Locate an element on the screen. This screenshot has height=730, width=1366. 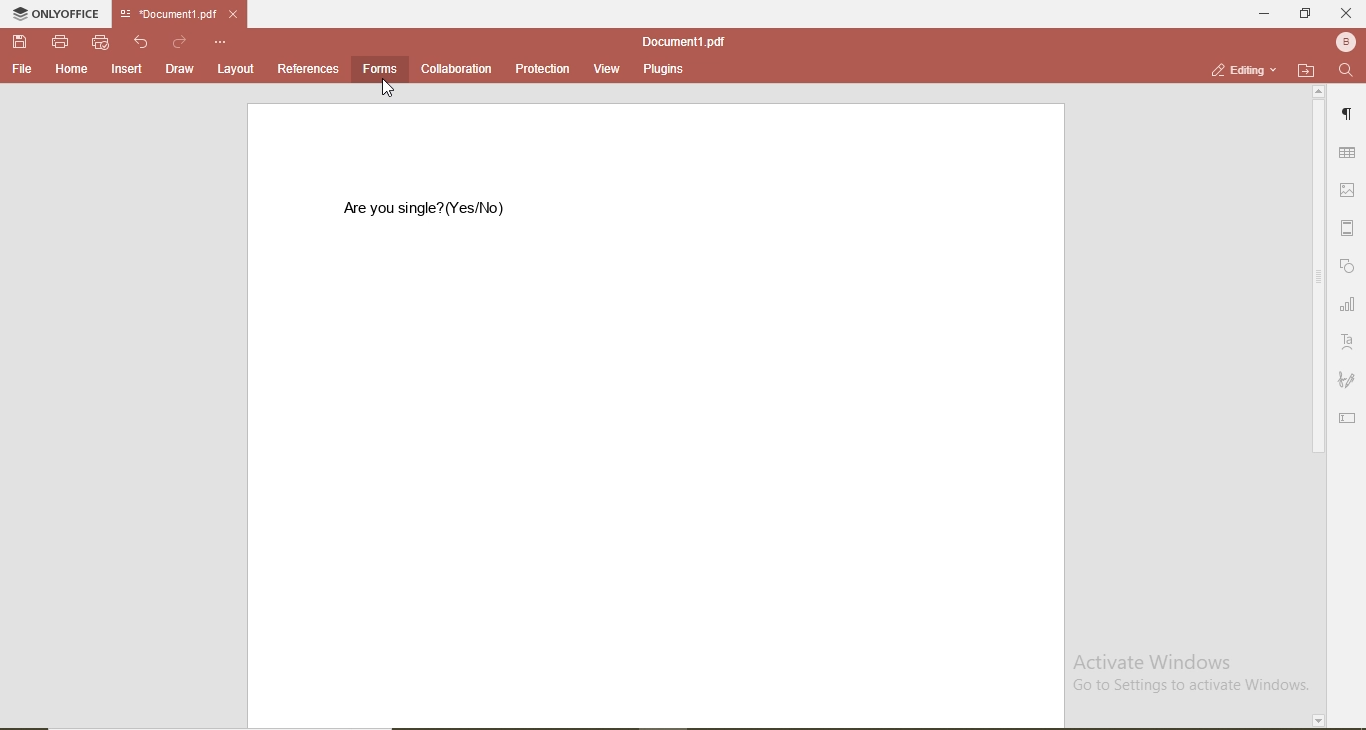
font style is located at coordinates (1350, 341).